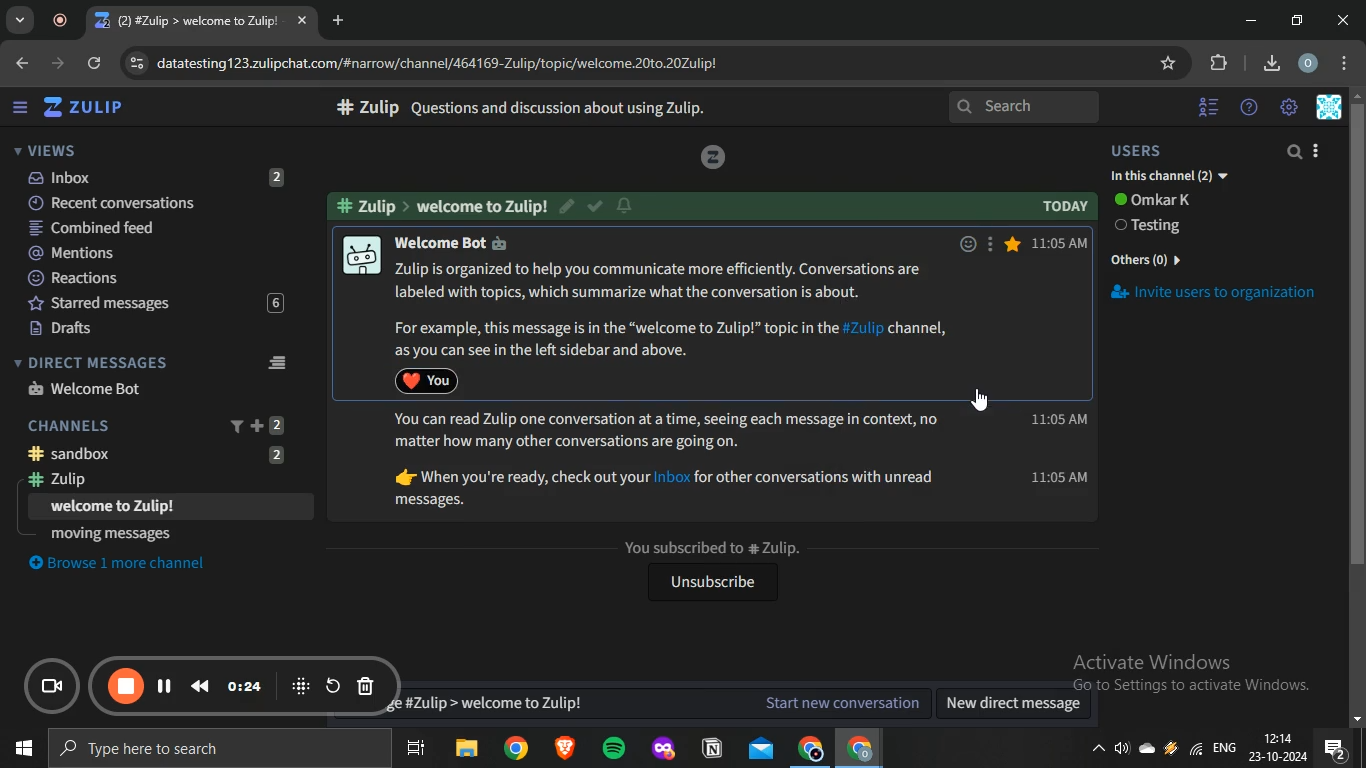  Describe the element at coordinates (341, 20) in the screenshot. I see `new tab` at that location.